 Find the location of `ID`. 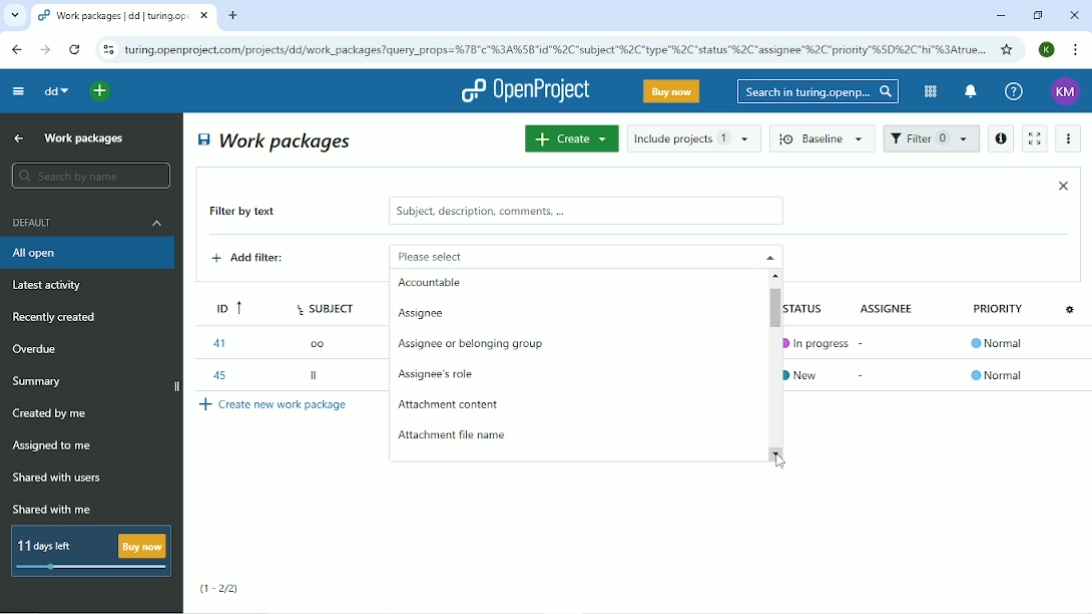

ID is located at coordinates (223, 305).